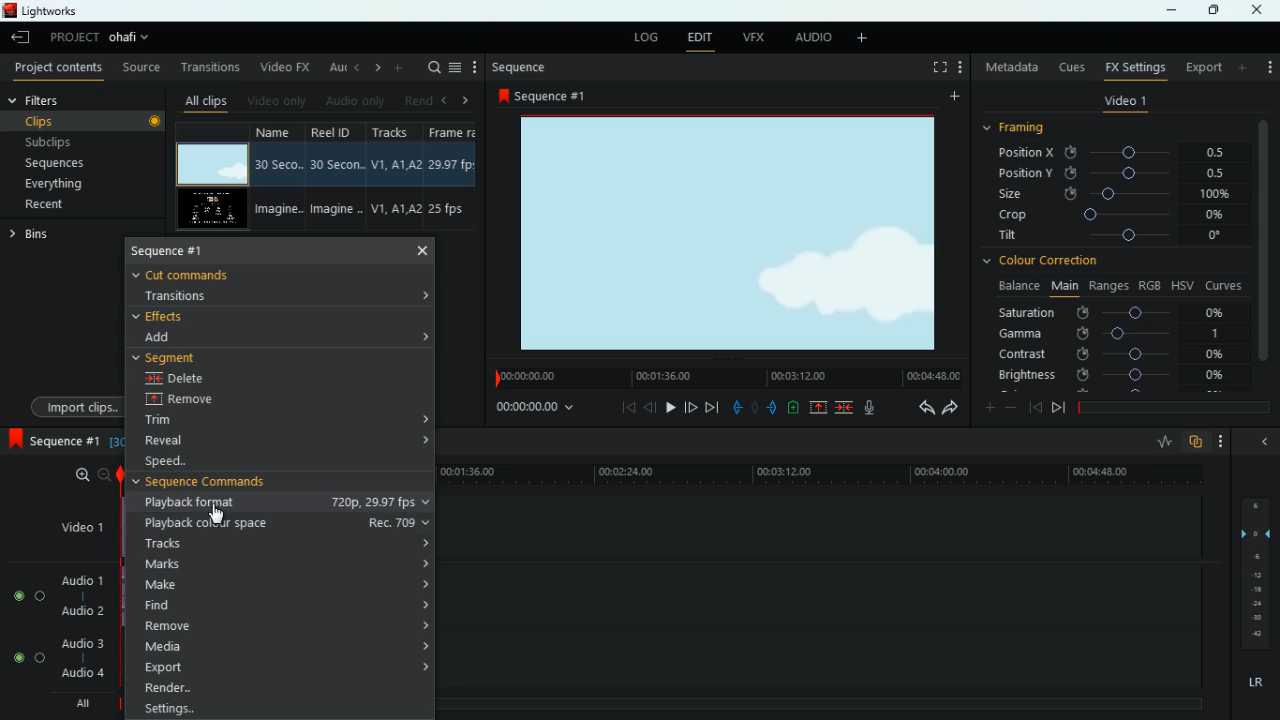 The height and width of the screenshot is (720, 1280). What do you see at coordinates (550, 96) in the screenshot?
I see `sequence` at bounding box center [550, 96].